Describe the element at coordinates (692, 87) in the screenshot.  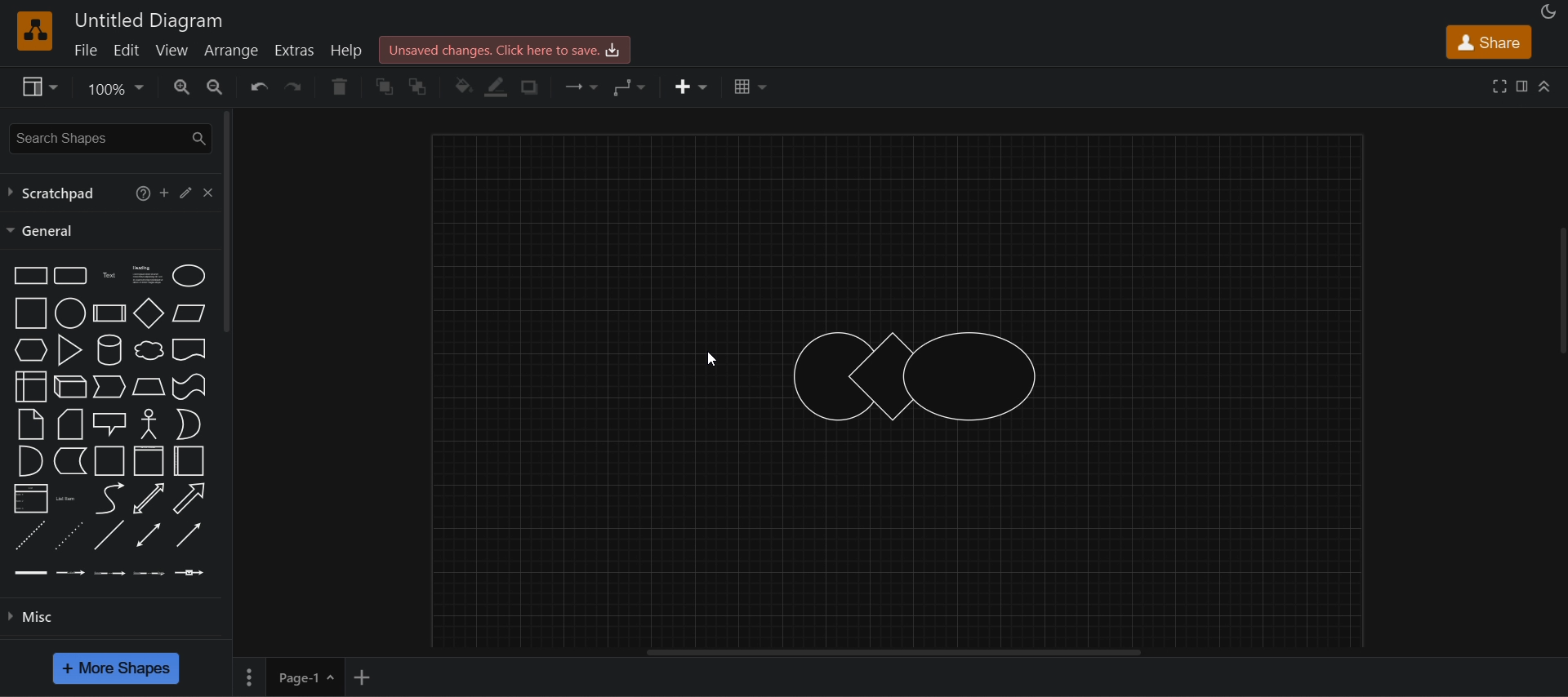
I see `insert ` at that location.